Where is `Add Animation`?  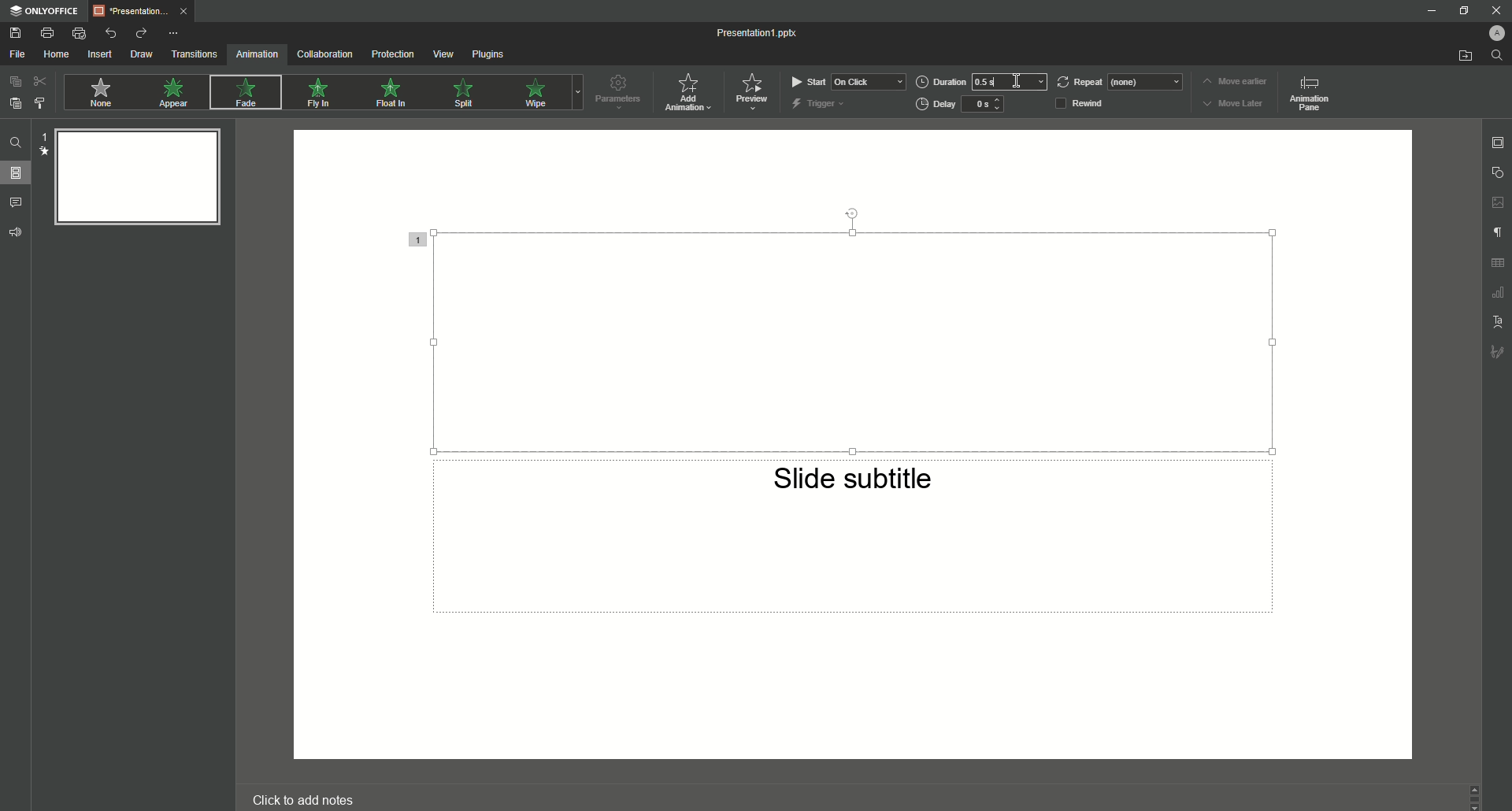
Add Animation is located at coordinates (691, 94).